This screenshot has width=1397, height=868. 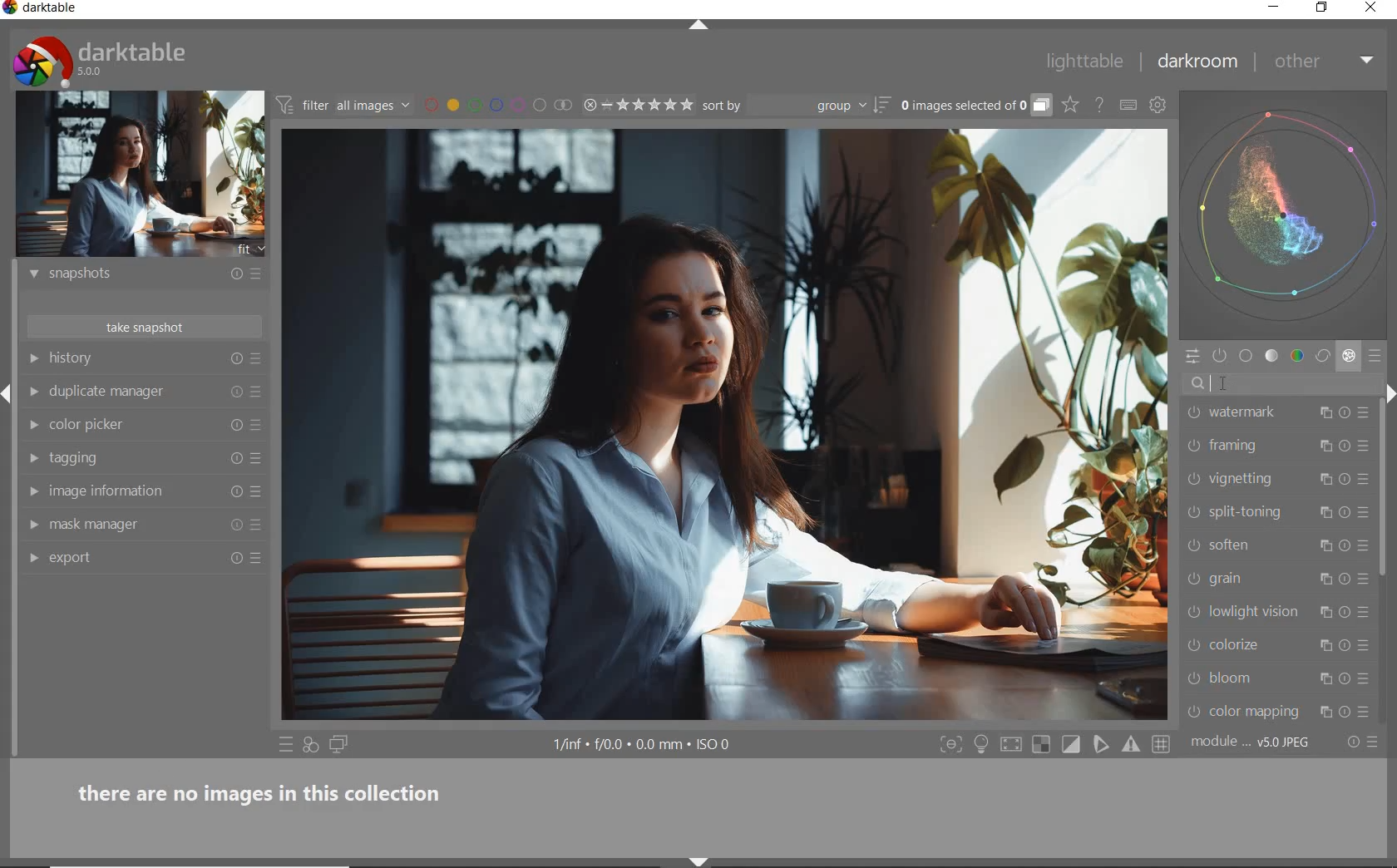 What do you see at coordinates (1253, 678) in the screenshot?
I see `bloom` at bounding box center [1253, 678].